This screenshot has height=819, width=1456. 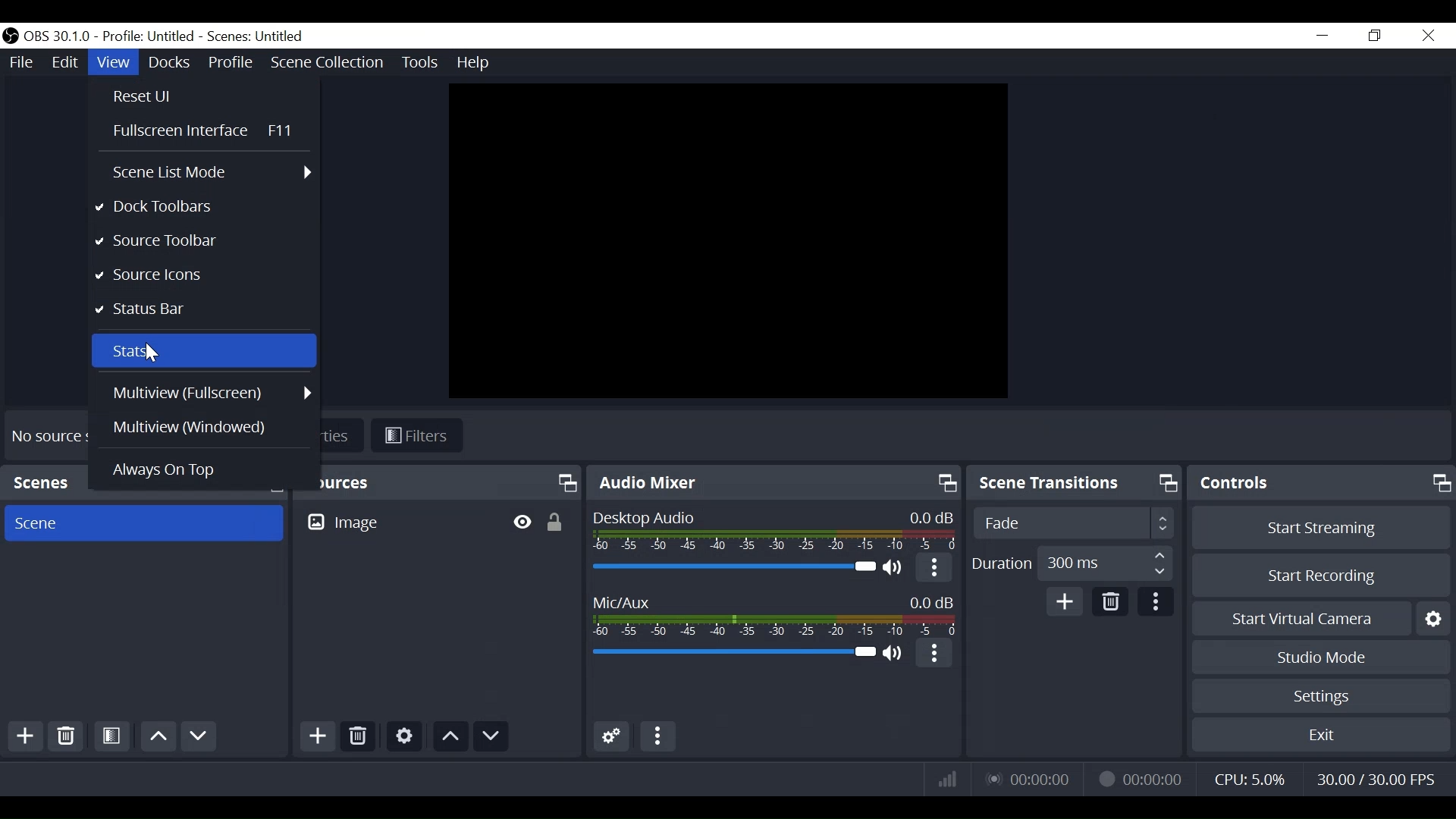 I want to click on Edit, so click(x=66, y=63).